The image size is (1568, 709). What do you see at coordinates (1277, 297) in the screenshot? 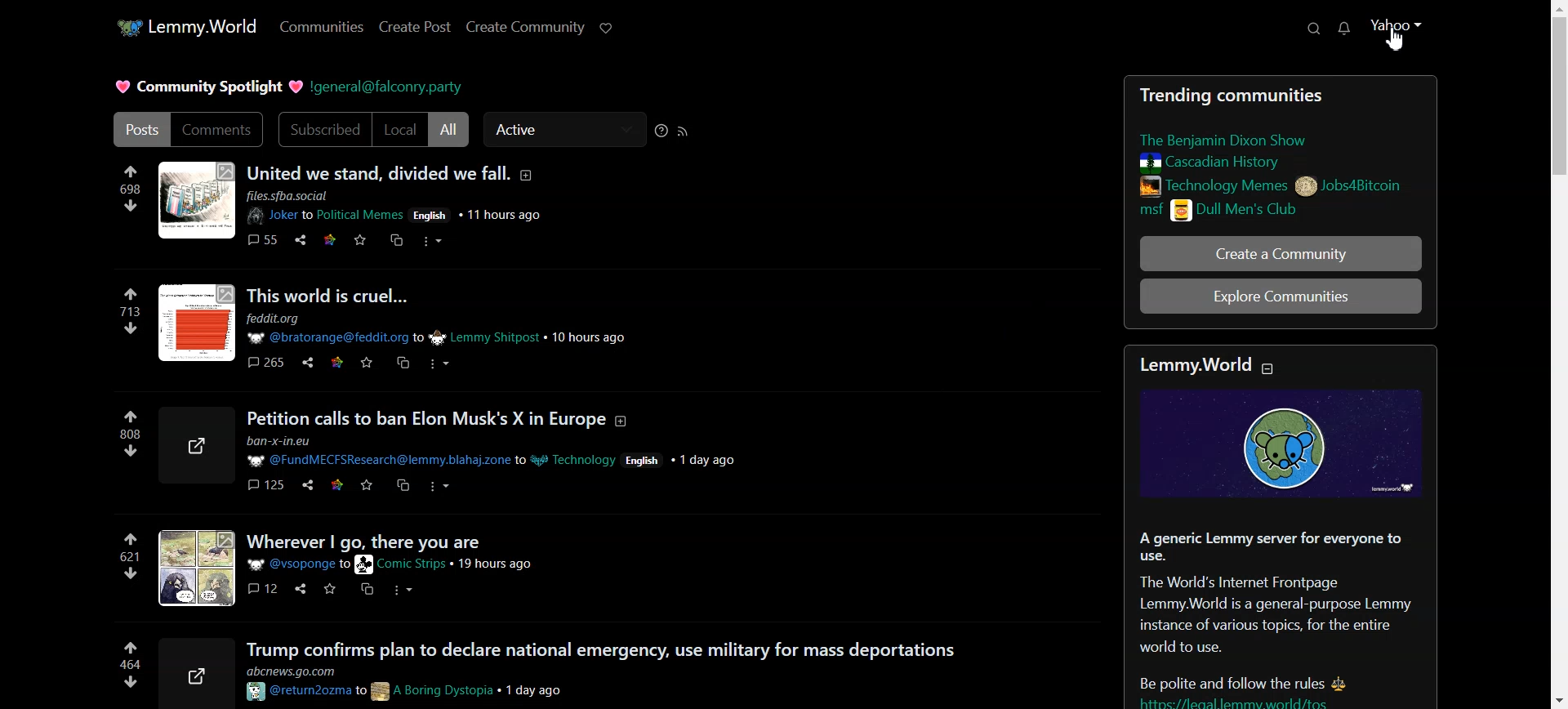
I see `Explore Community` at bounding box center [1277, 297].